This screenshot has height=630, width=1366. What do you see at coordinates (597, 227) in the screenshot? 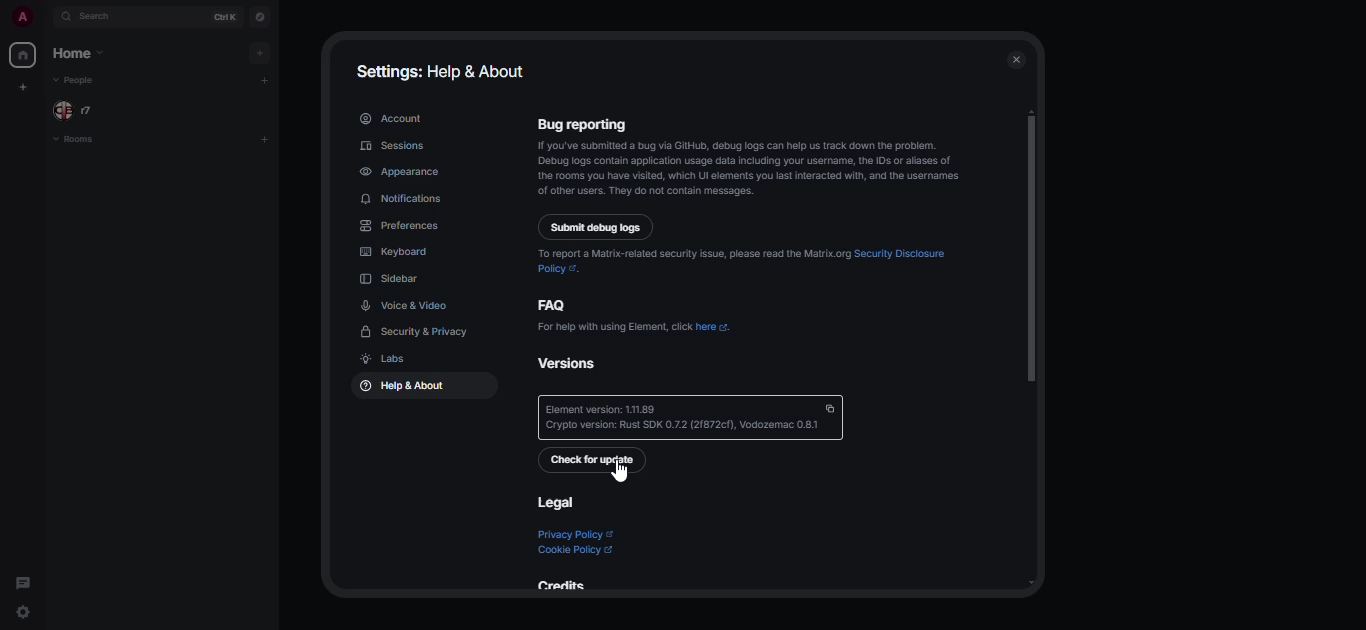
I see `submit debug logs` at bounding box center [597, 227].